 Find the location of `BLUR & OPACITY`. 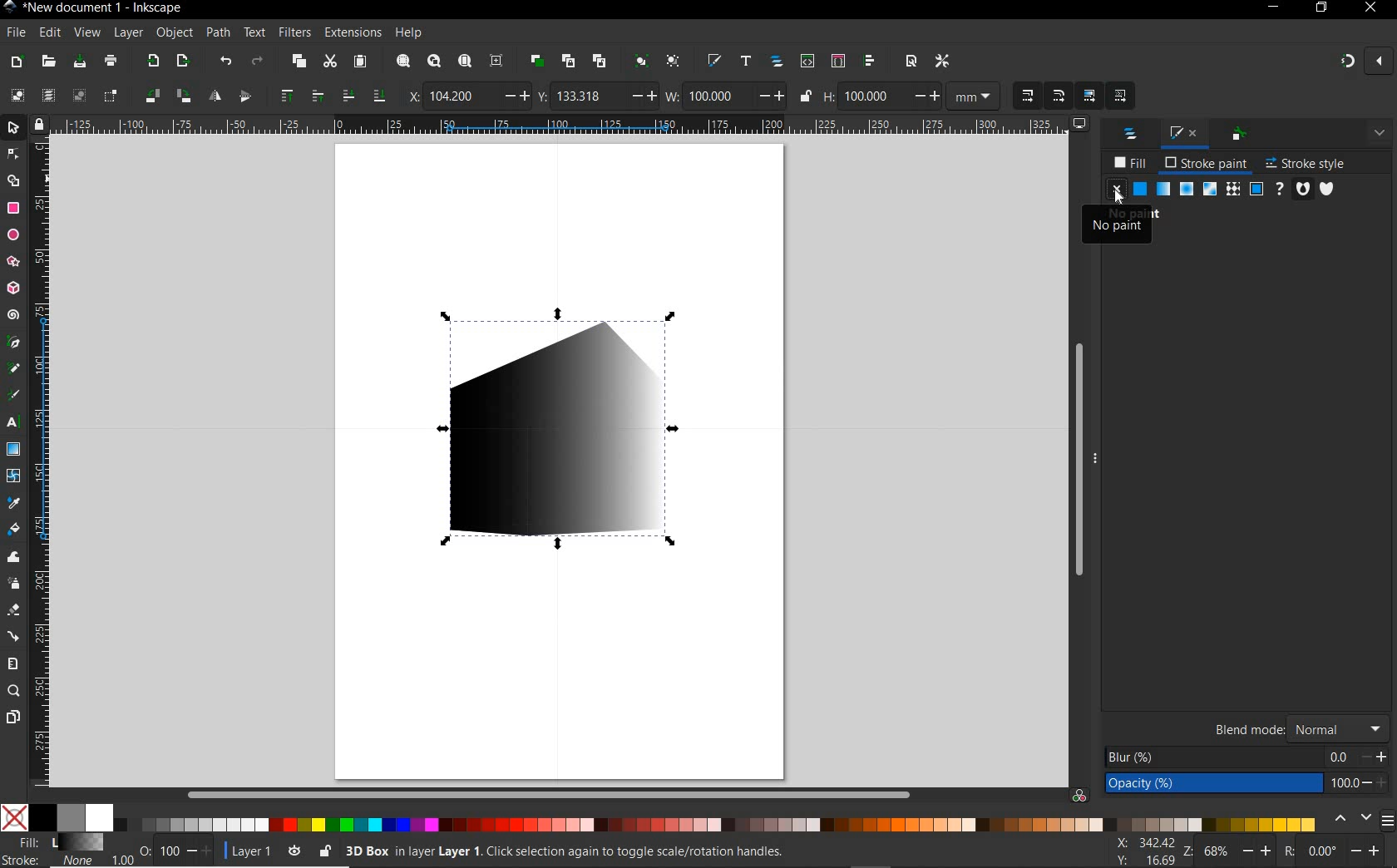

BLUR & OPACITY is located at coordinates (1214, 771).